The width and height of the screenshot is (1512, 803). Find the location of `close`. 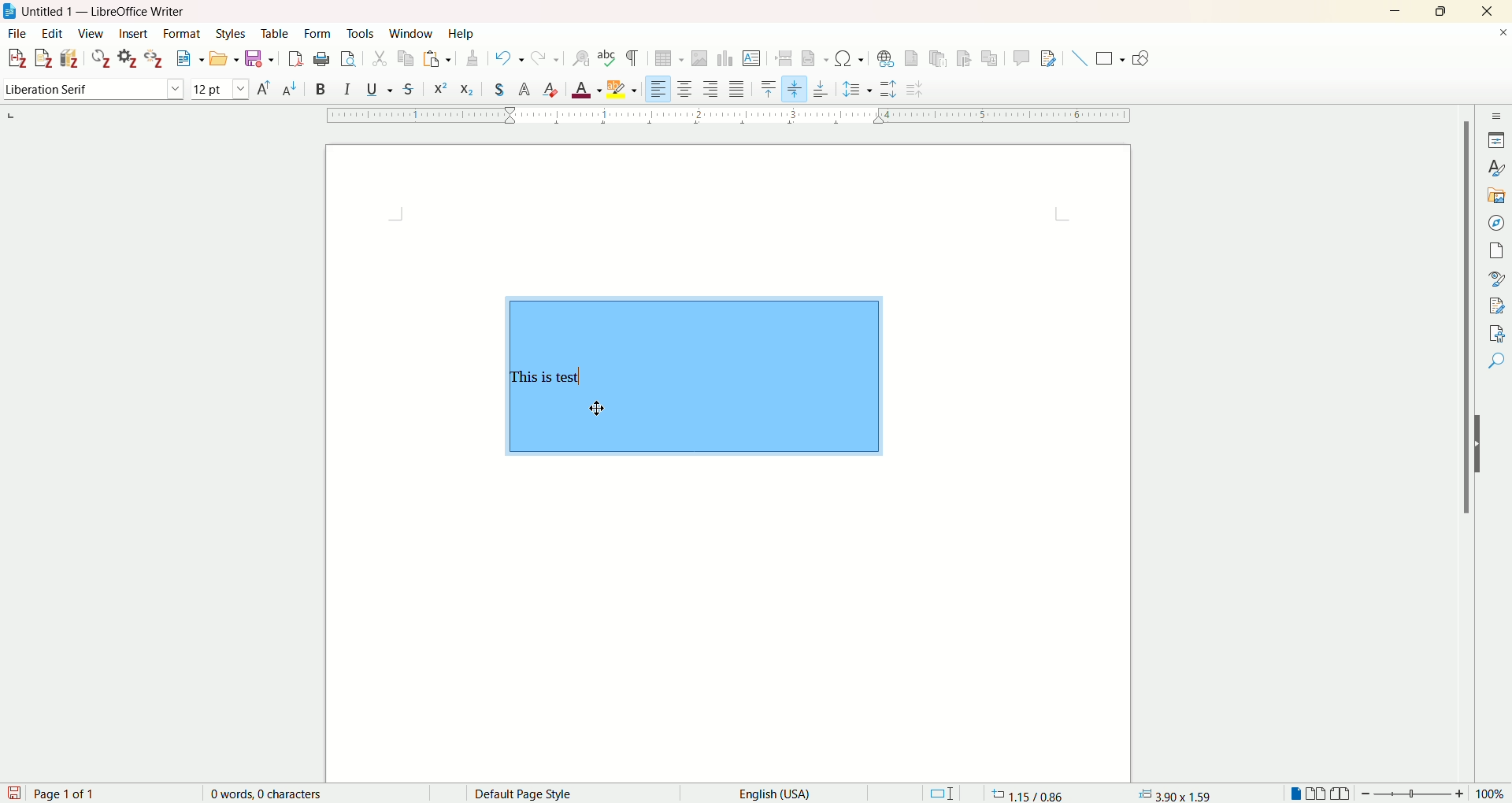

close is located at coordinates (1487, 10).